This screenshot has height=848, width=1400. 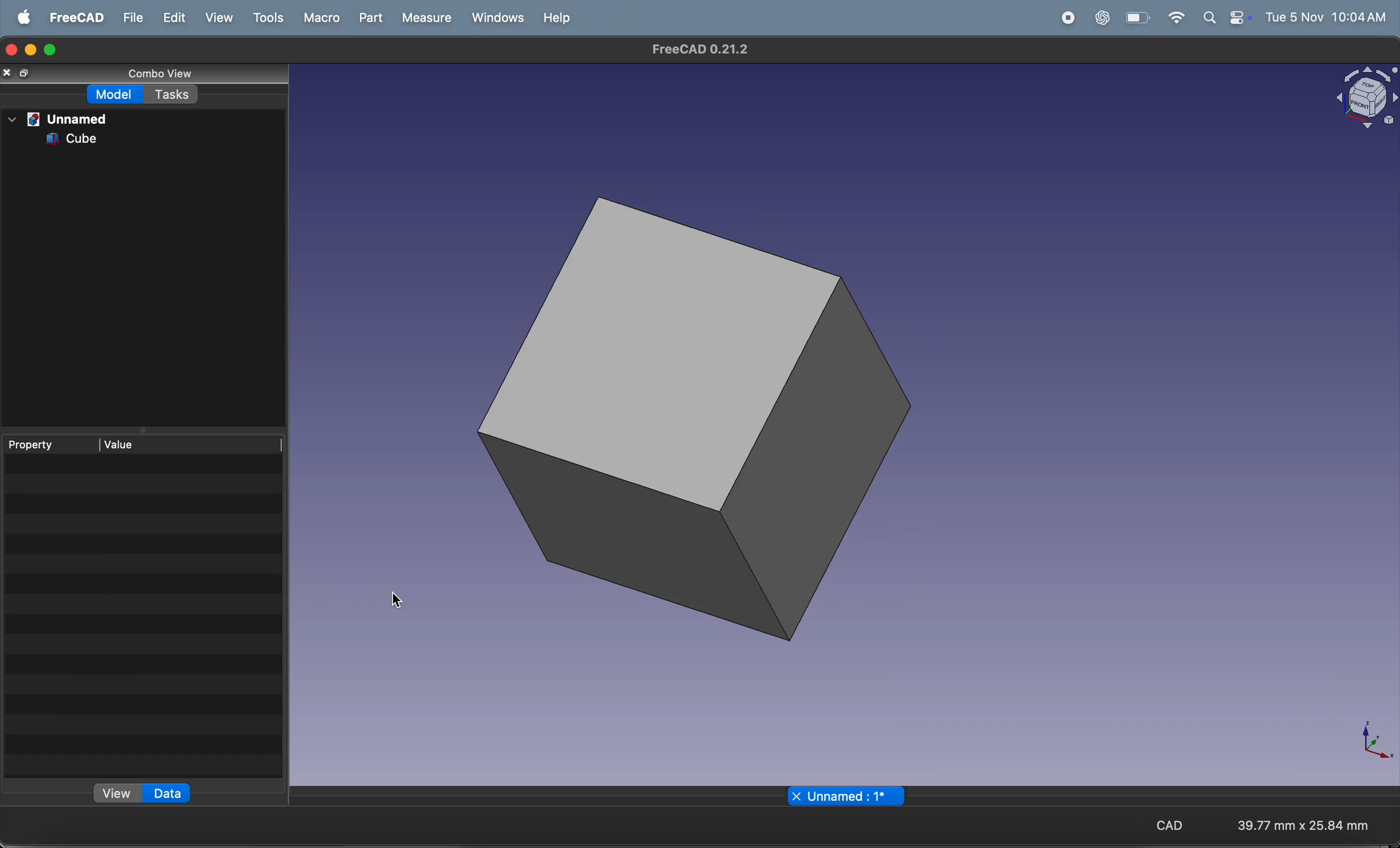 What do you see at coordinates (21, 17) in the screenshot?
I see `apple` at bounding box center [21, 17].